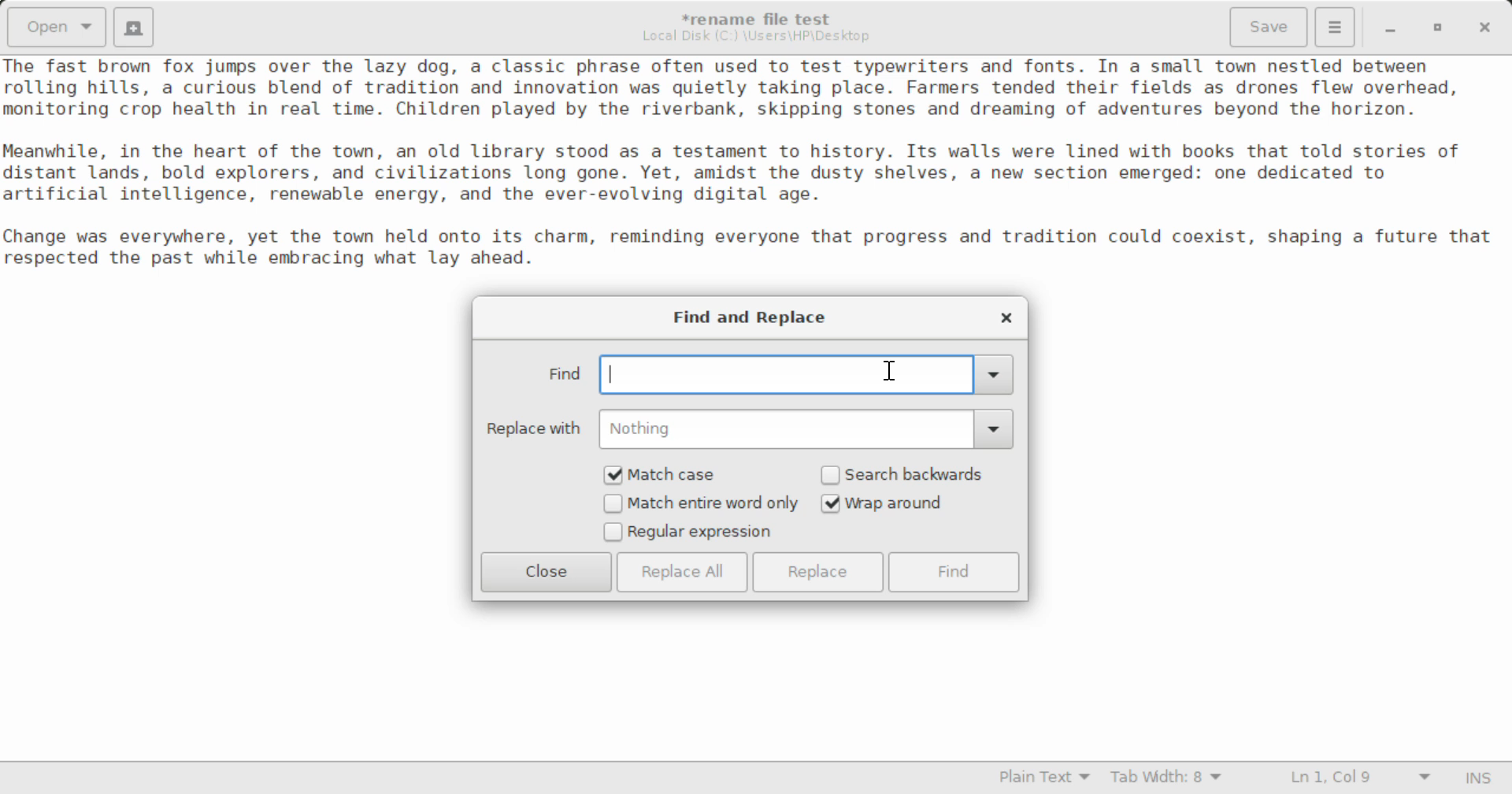  What do you see at coordinates (1393, 27) in the screenshot?
I see `Restore Down` at bounding box center [1393, 27].